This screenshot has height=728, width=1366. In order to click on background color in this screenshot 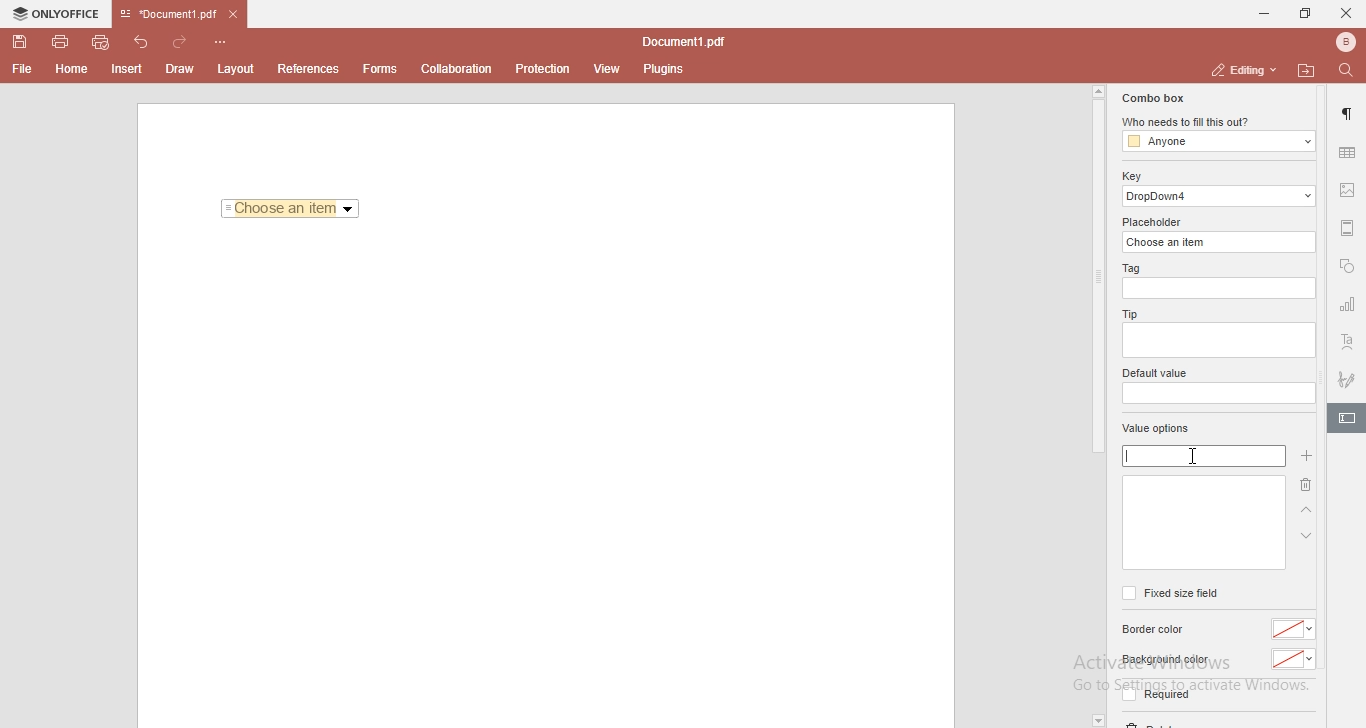, I will do `click(1164, 660)`.